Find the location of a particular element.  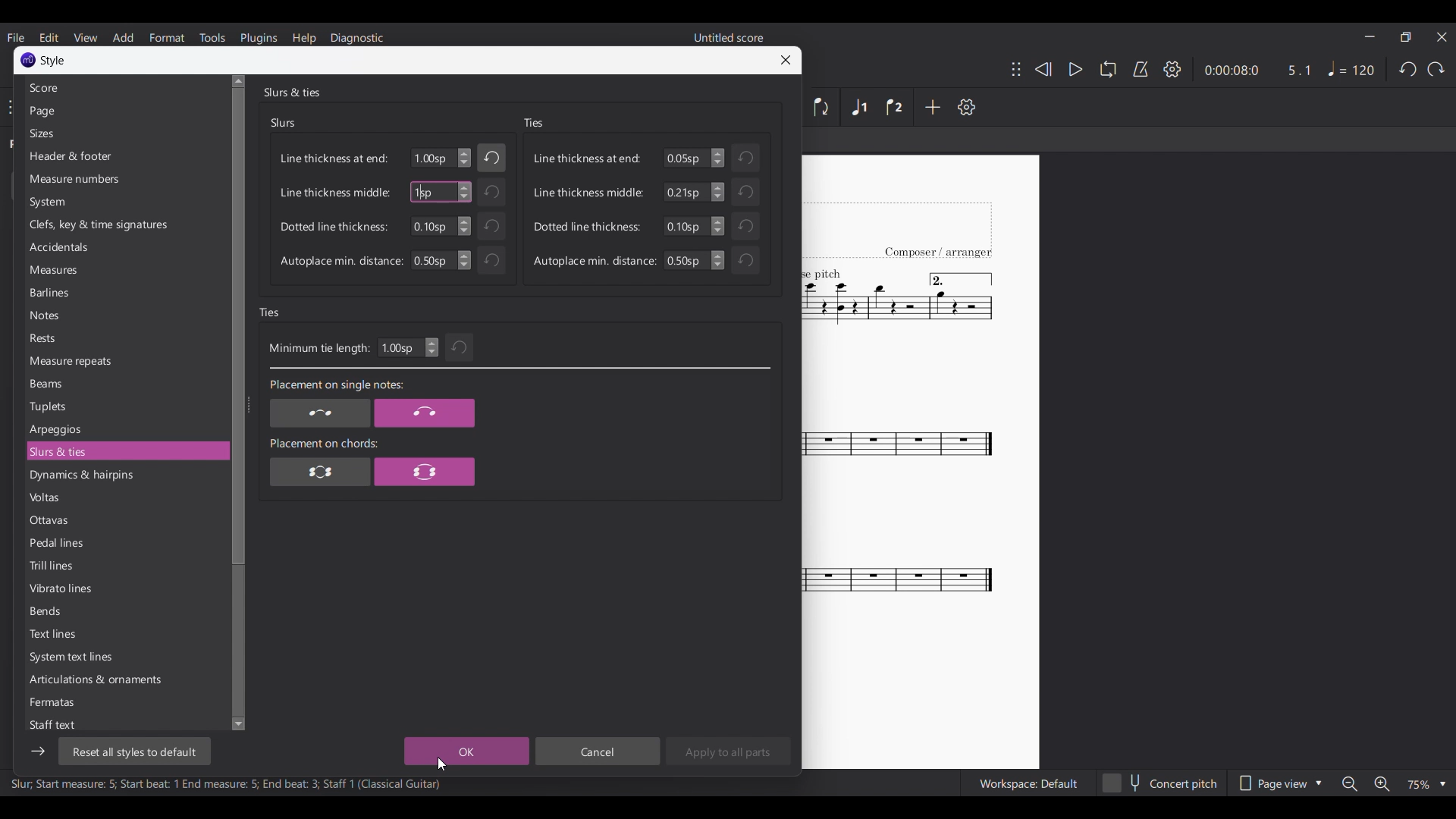

Increase/Decrease autoplace min. distance is located at coordinates (464, 260).